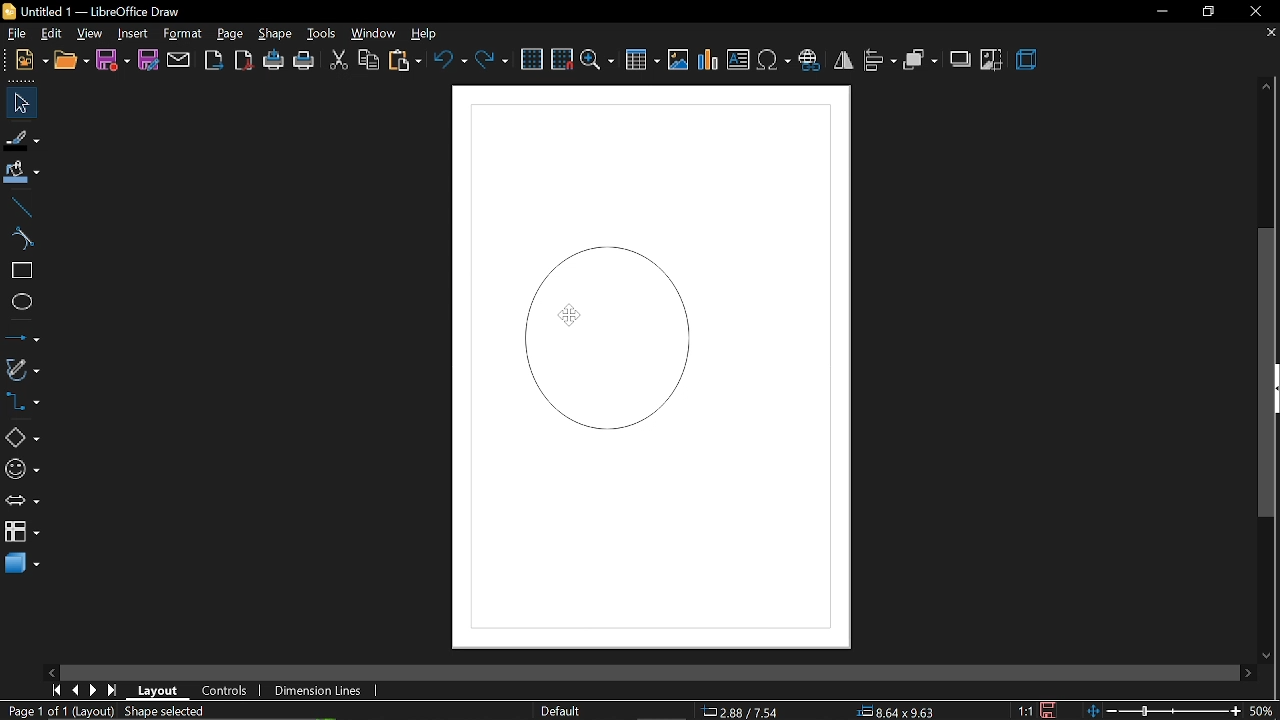 The height and width of the screenshot is (720, 1280). Describe the element at coordinates (961, 59) in the screenshot. I see `shadow` at that location.